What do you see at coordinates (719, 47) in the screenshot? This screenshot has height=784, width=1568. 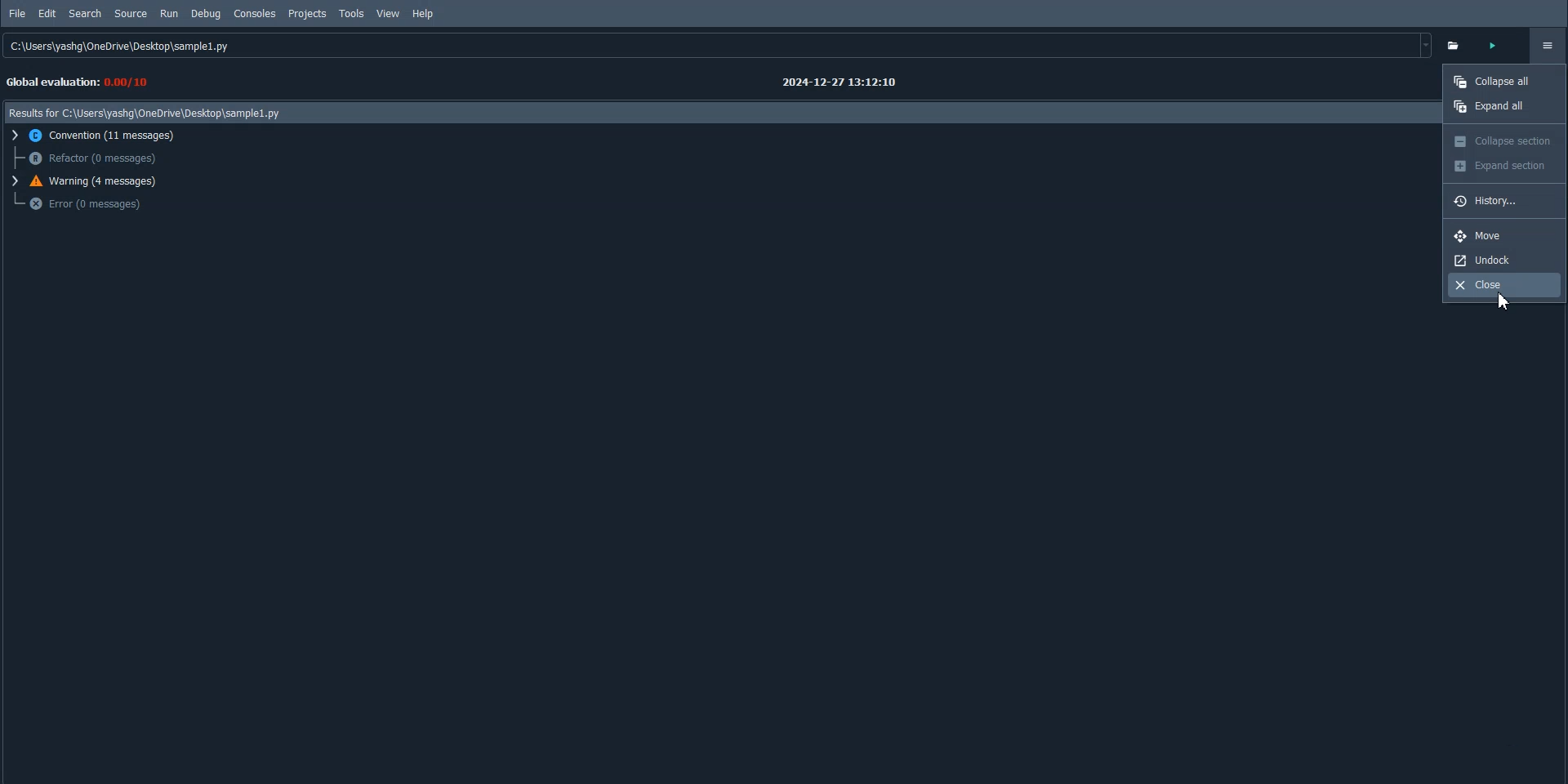 I see `C:\Users\yashg\OneDrive\Desktop\sample.py` at bounding box center [719, 47].